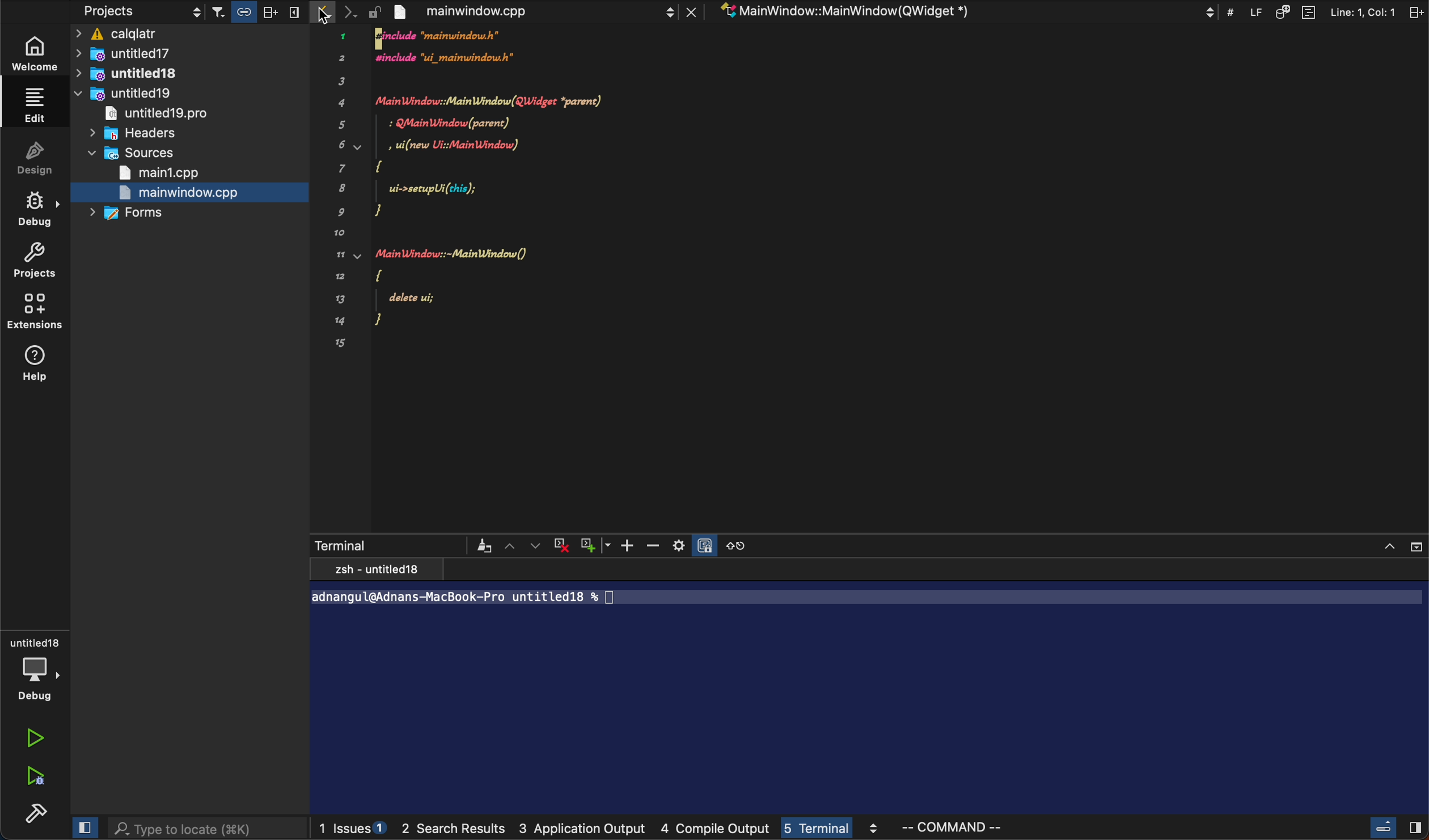 This screenshot has height=840, width=1429. I want to click on reset, so click(742, 545).